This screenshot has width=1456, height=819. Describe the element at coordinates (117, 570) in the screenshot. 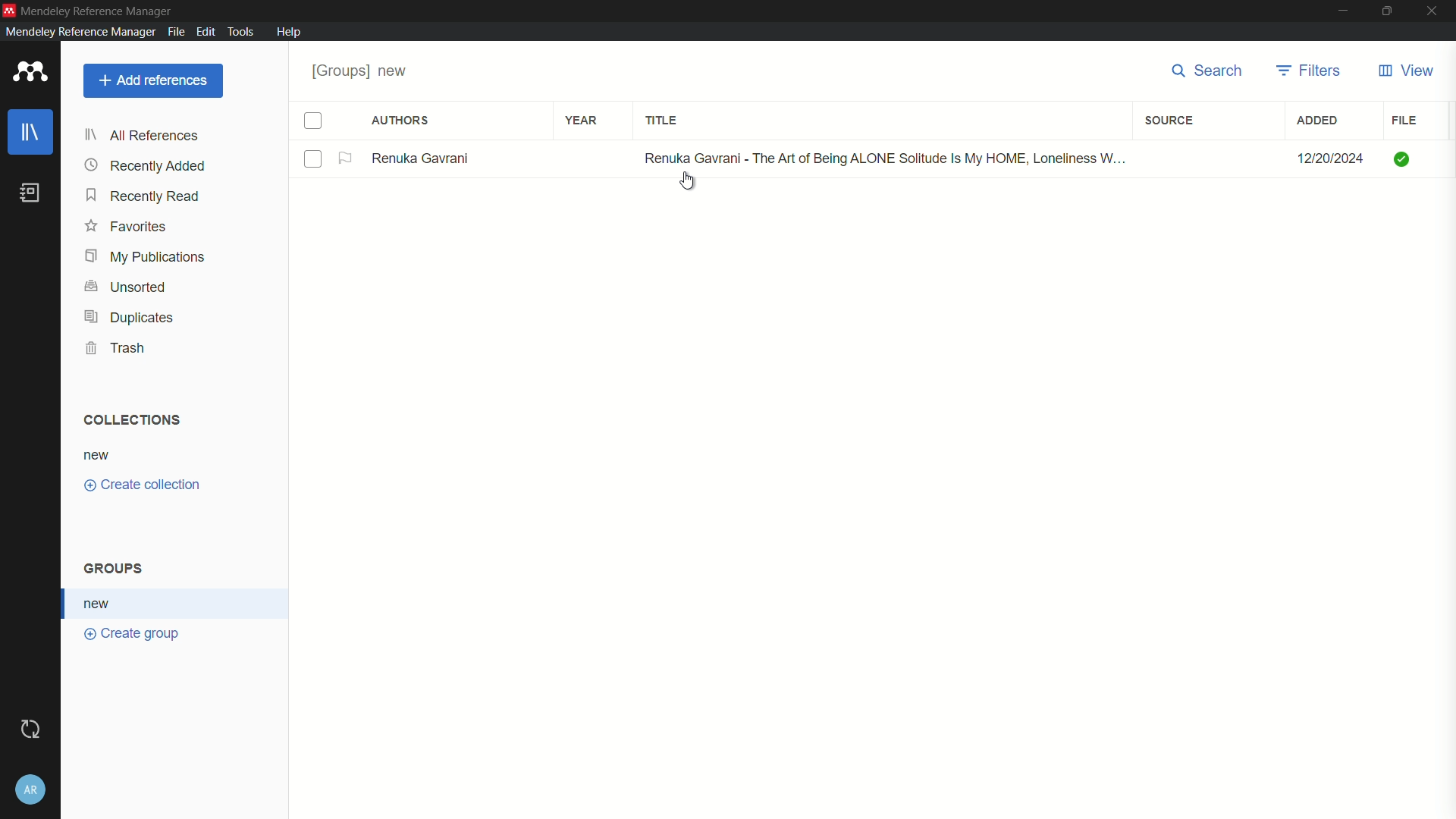

I see `groups` at that location.